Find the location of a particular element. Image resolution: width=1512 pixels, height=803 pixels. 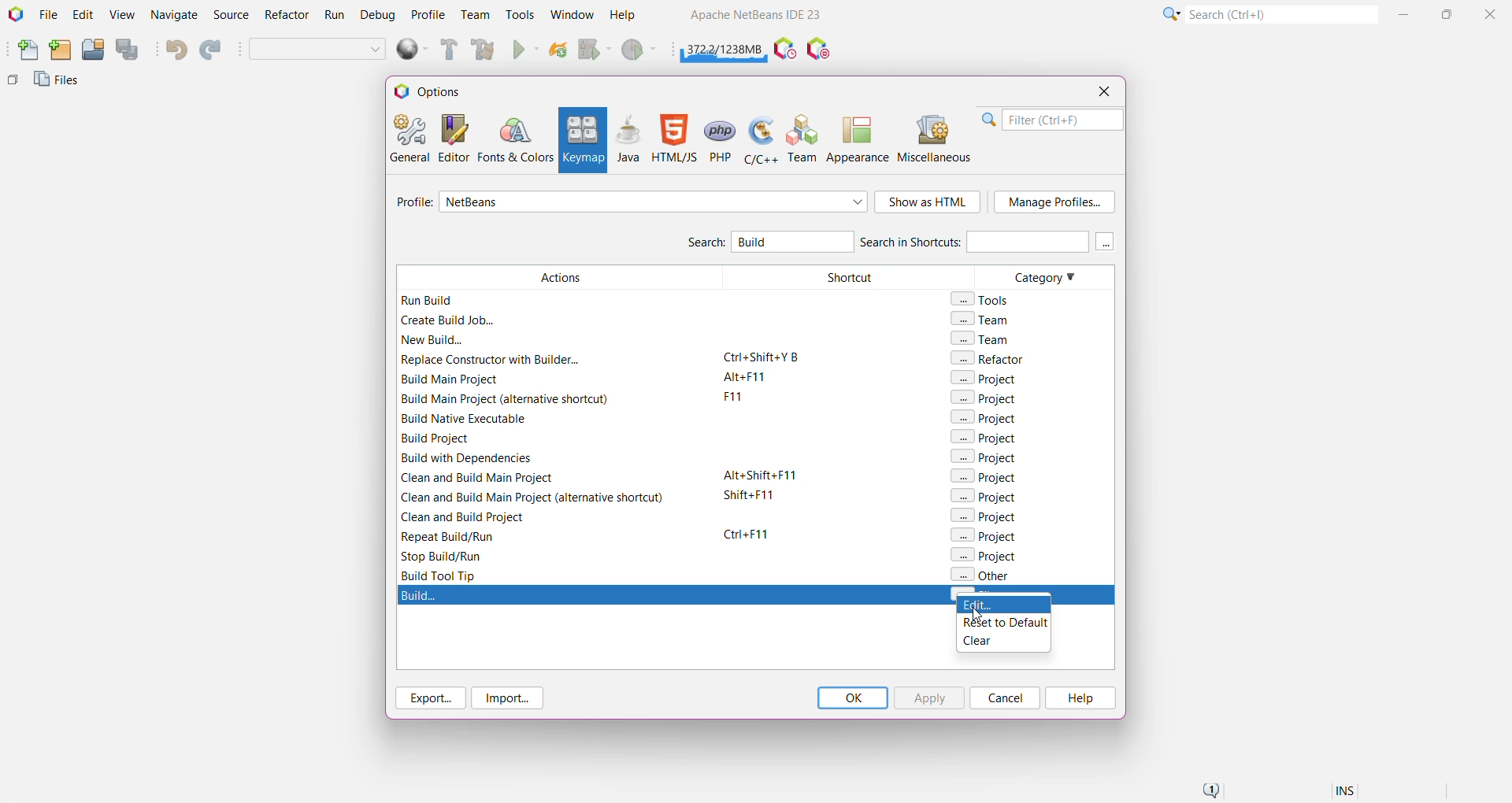

File is located at coordinates (48, 15).